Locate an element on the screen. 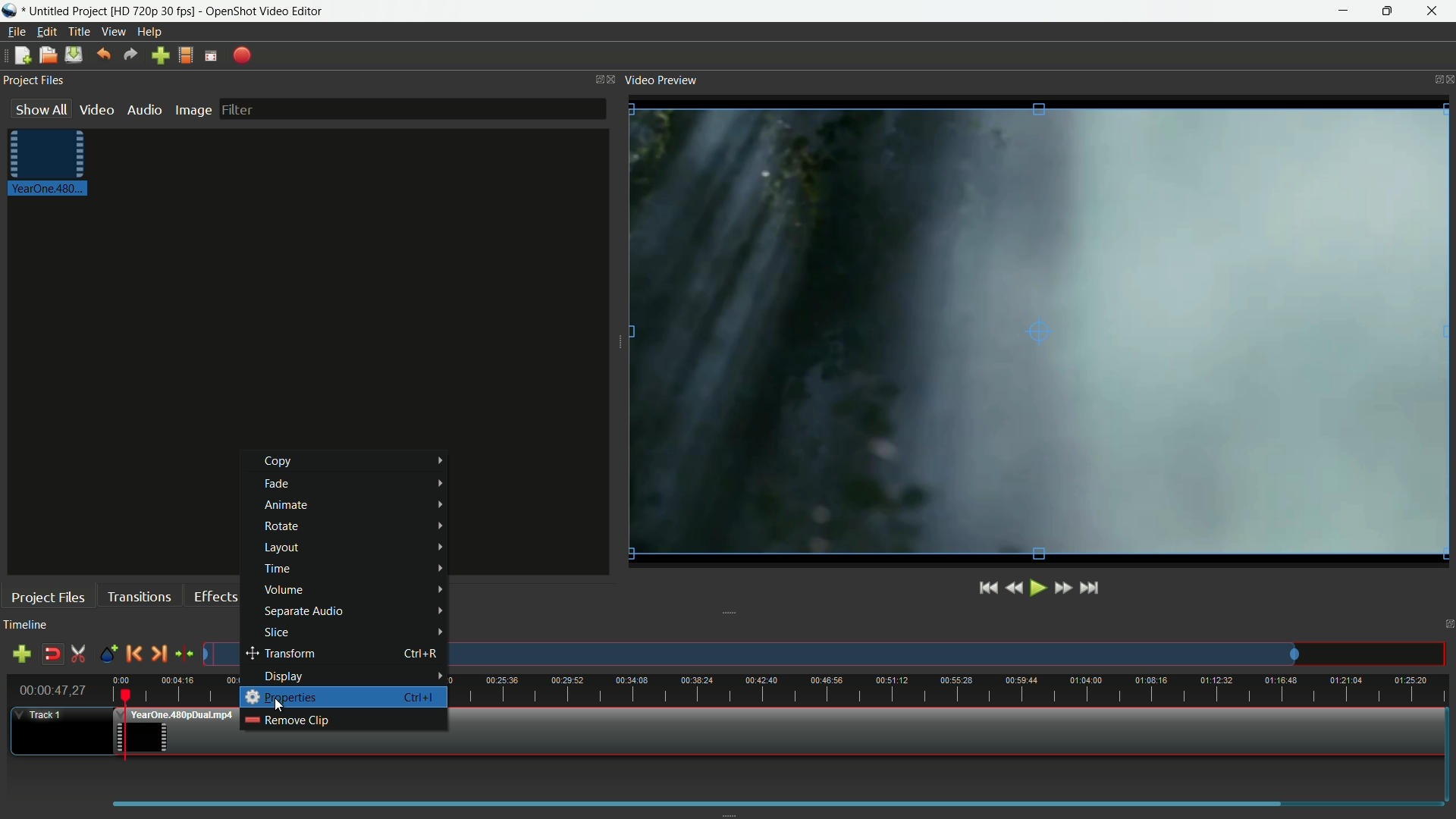 The height and width of the screenshot is (819, 1456). project file is located at coordinates (52, 164).